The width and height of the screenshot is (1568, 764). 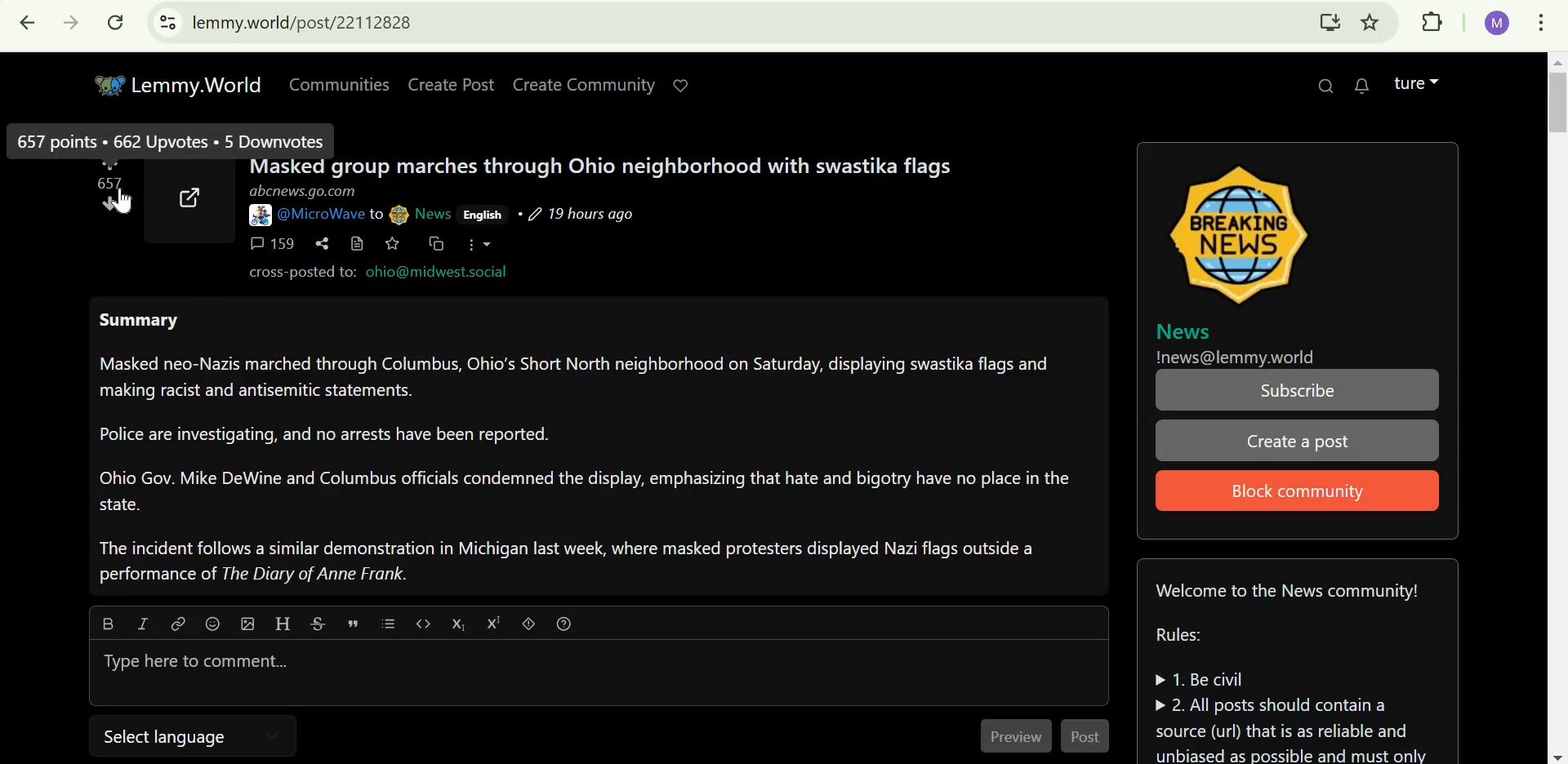 I want to click on Header, so click(x=284, y=623).